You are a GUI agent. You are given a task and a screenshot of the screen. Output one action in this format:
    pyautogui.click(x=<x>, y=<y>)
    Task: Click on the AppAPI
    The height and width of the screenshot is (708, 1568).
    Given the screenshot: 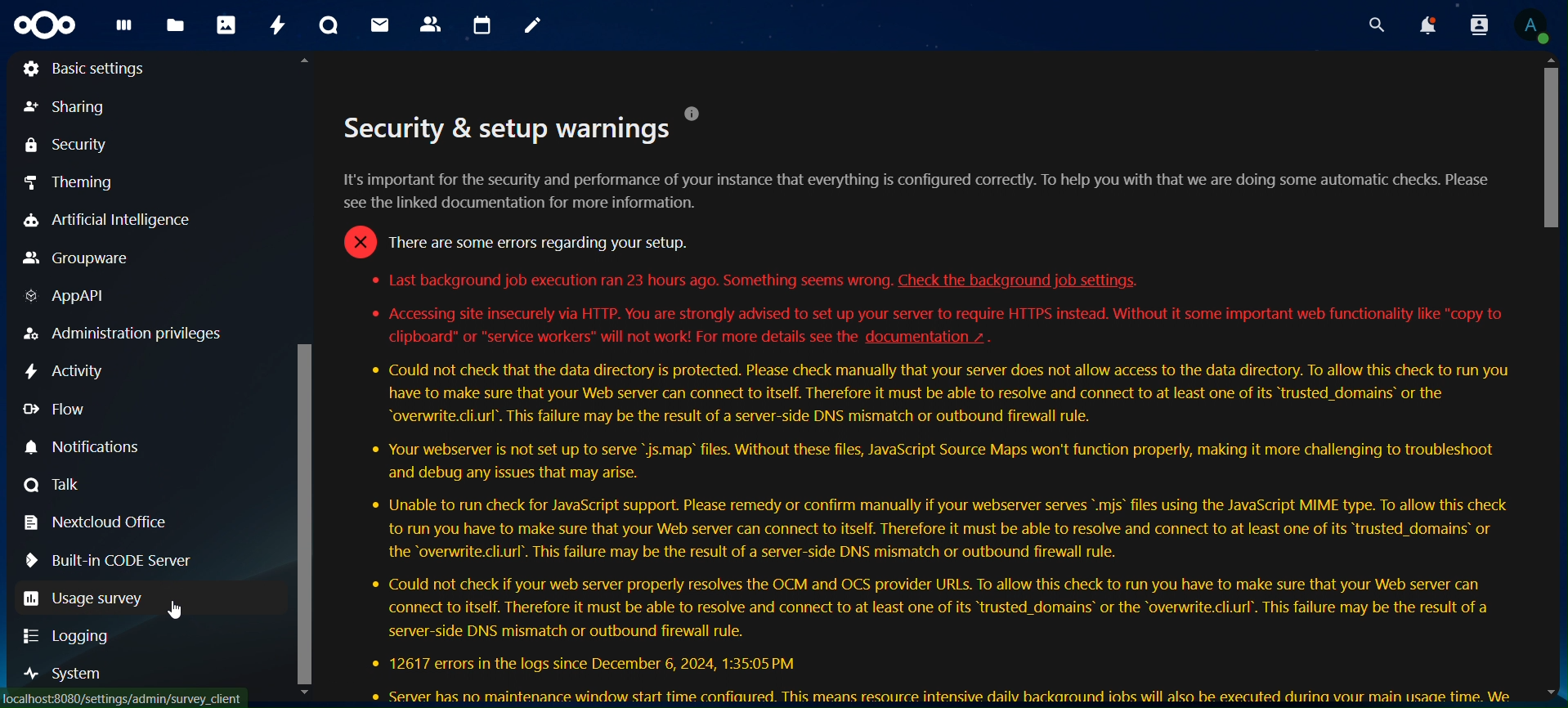 What is the action you would take?
    pyautogui.click(x=74, y=297)
    